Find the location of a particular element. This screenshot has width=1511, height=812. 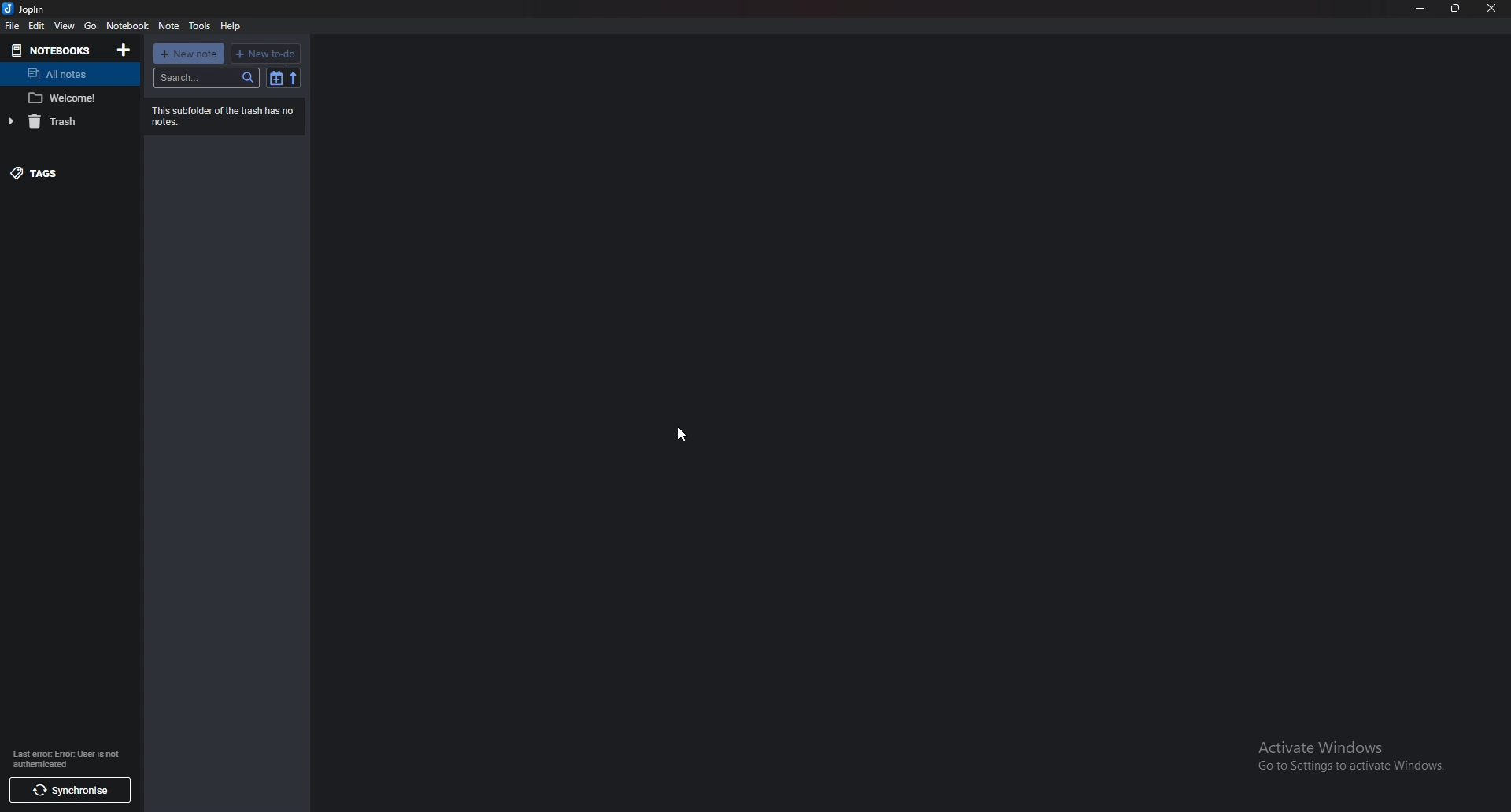

Note is located at coordinates (170, 24).